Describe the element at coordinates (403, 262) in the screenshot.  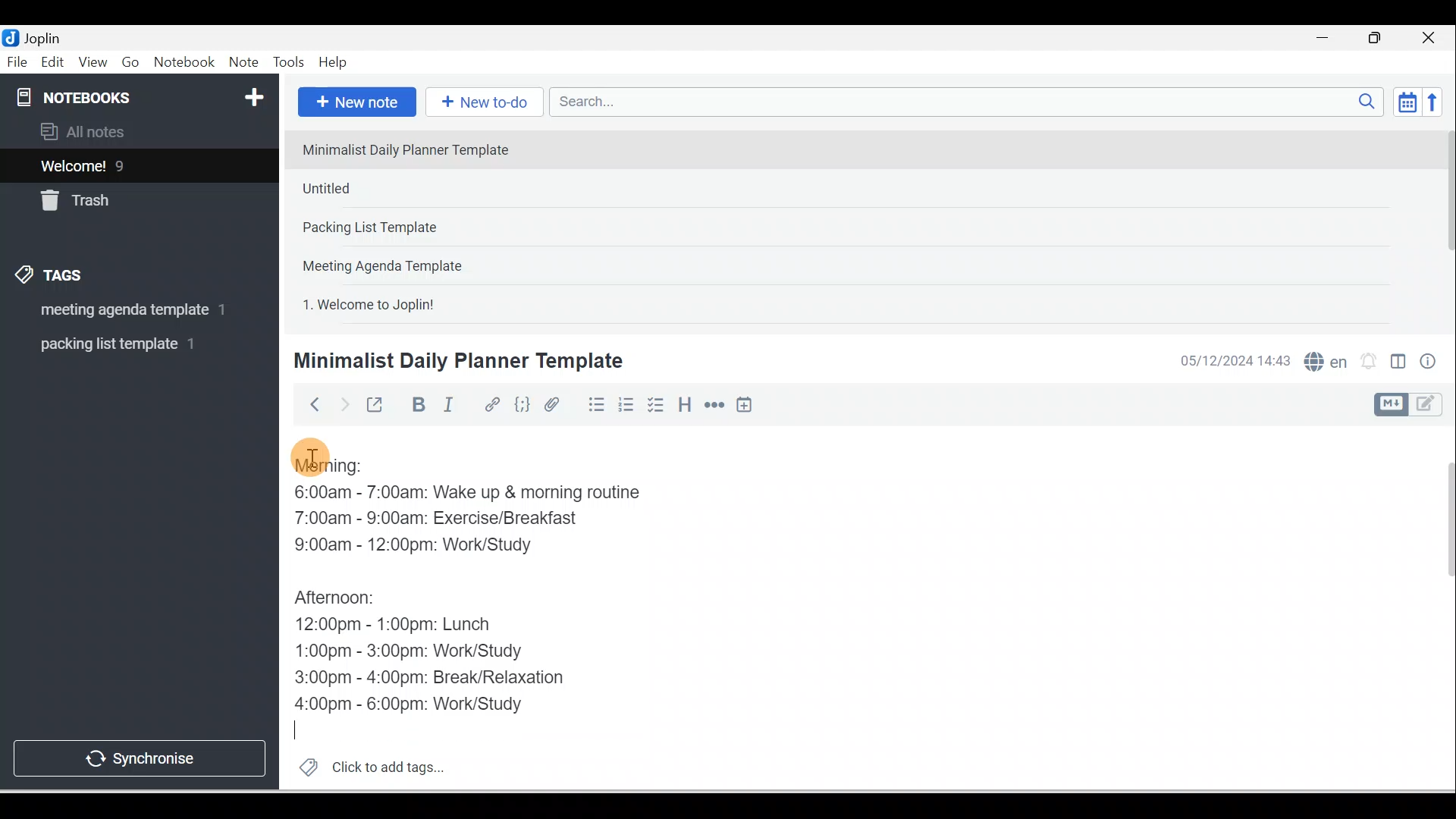
I see `Note 4` at that location.